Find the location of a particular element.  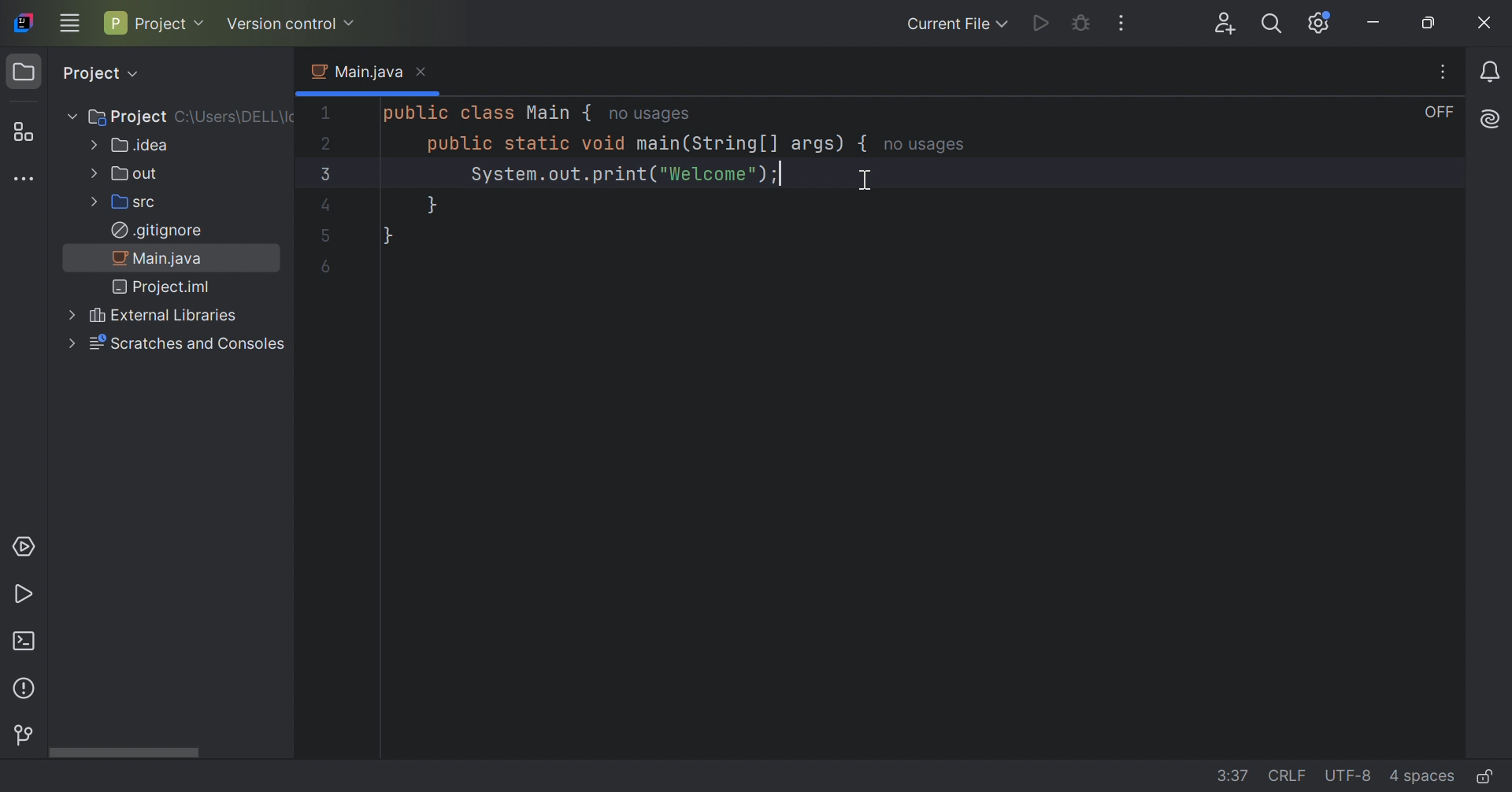

CRLF is located at coordinates (1289, 775).